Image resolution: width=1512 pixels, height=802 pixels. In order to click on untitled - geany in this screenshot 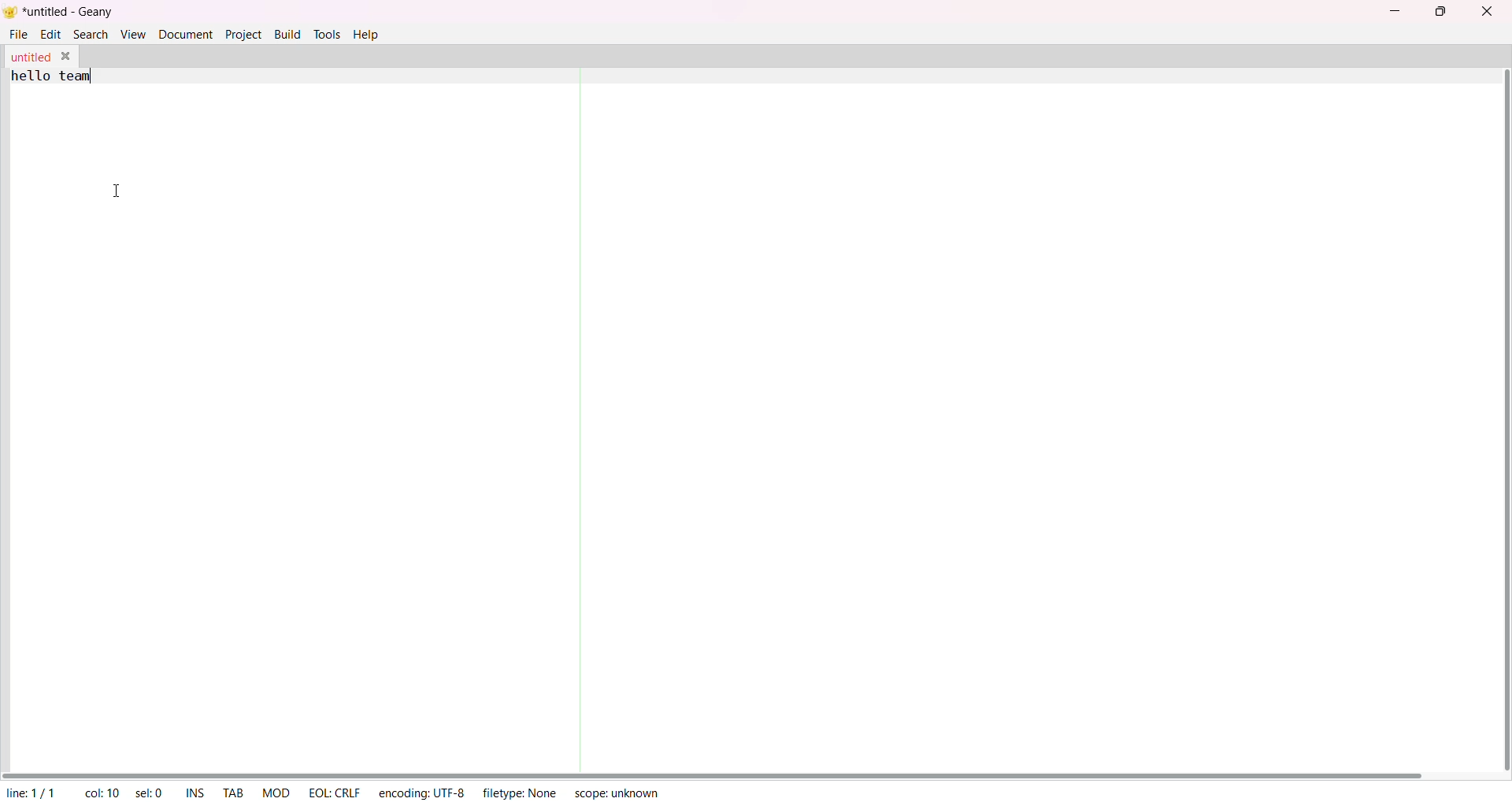, I will do `click(70, 13)`.